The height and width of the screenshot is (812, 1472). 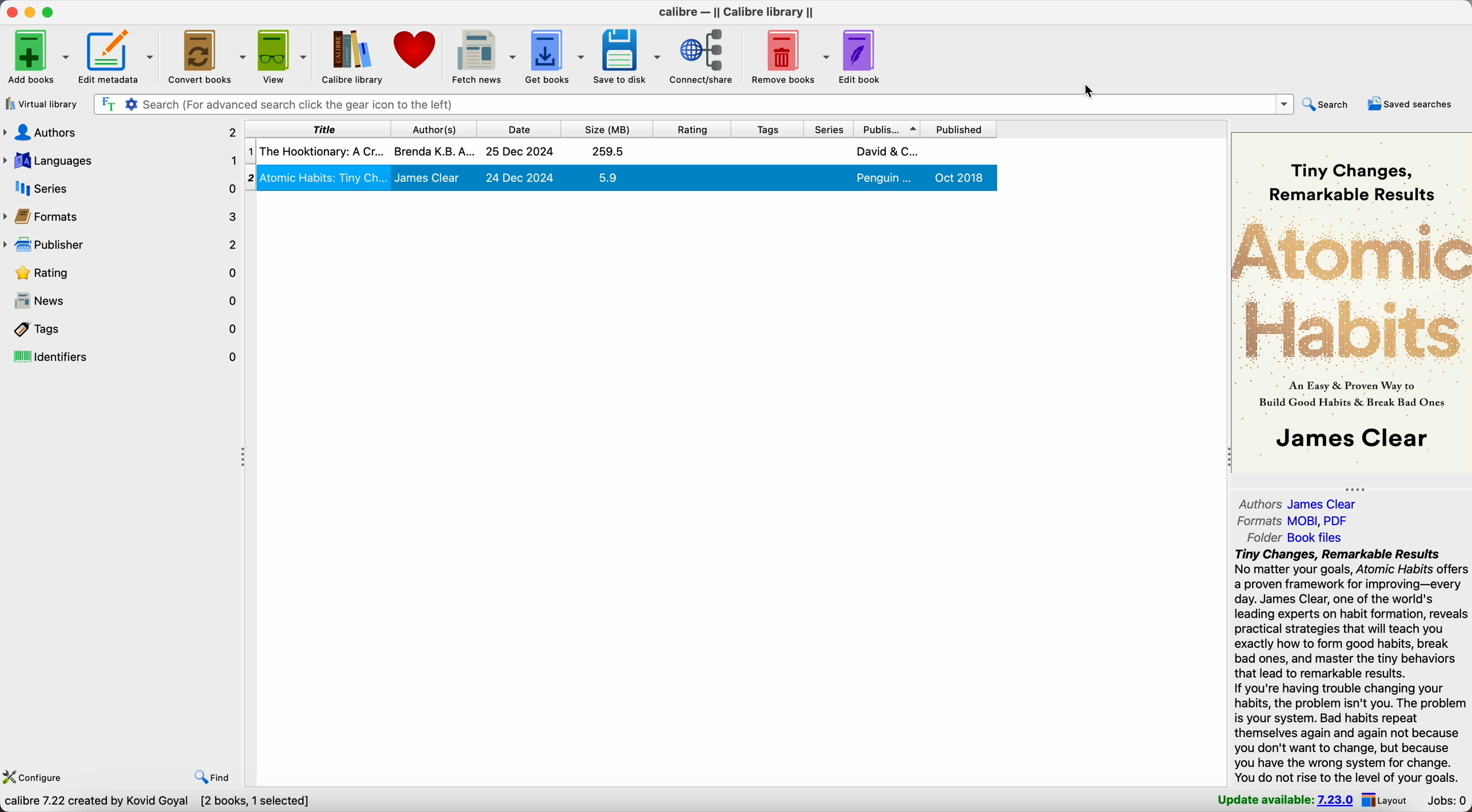 What do you see at coordinates (1349, 303) in the screenshot?
I see `oo Tiny Changes, ’Remarkable ResultsR # RP or2 : 5 “An a & Proven Way to SnBuild Good Habits & Break Bad Ones| James Clear` at bounding box center [1349, 303].